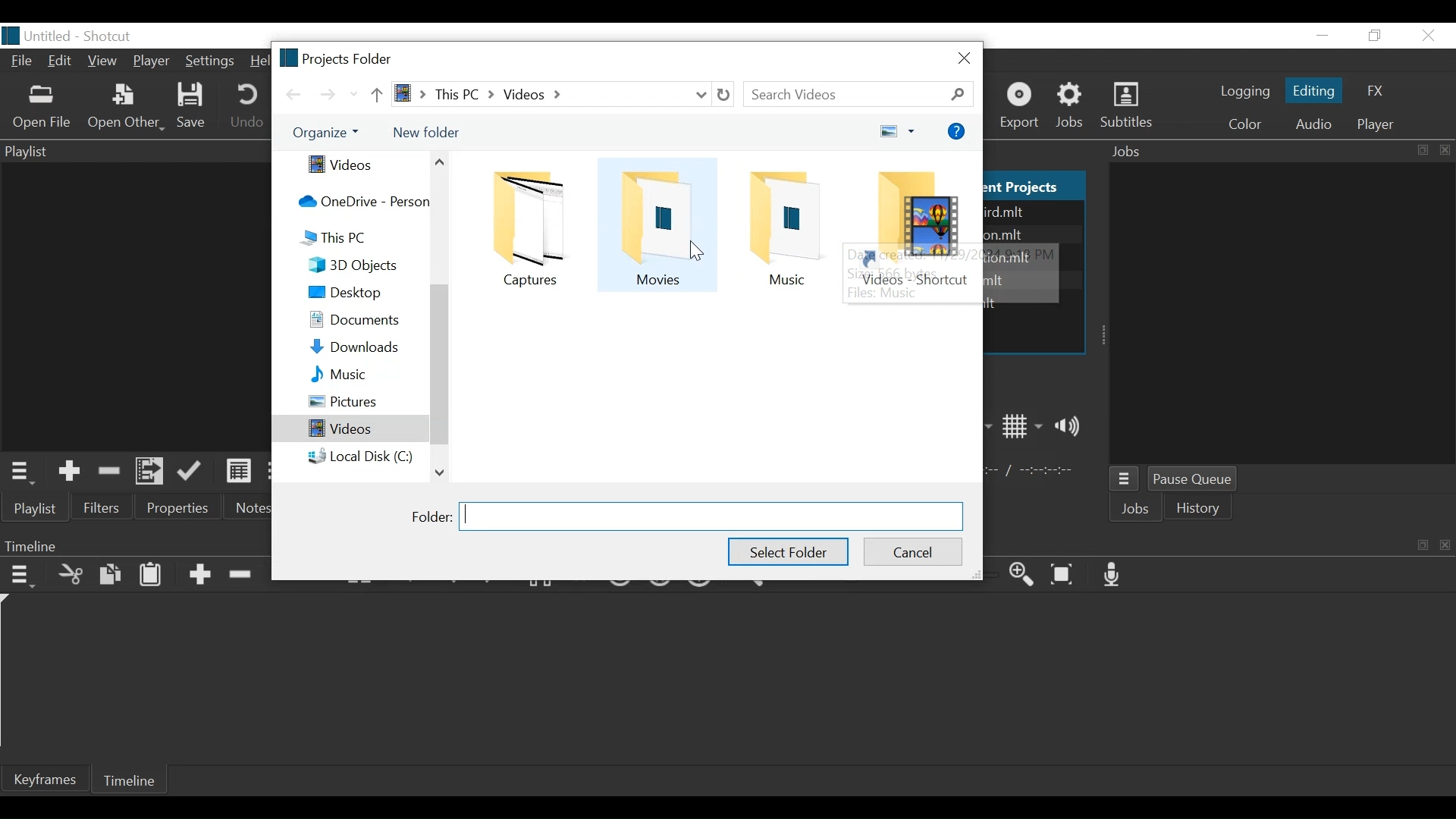 The width and height of the screenshot is (1456, 819). I want to click on Go back, so click(293, 93).